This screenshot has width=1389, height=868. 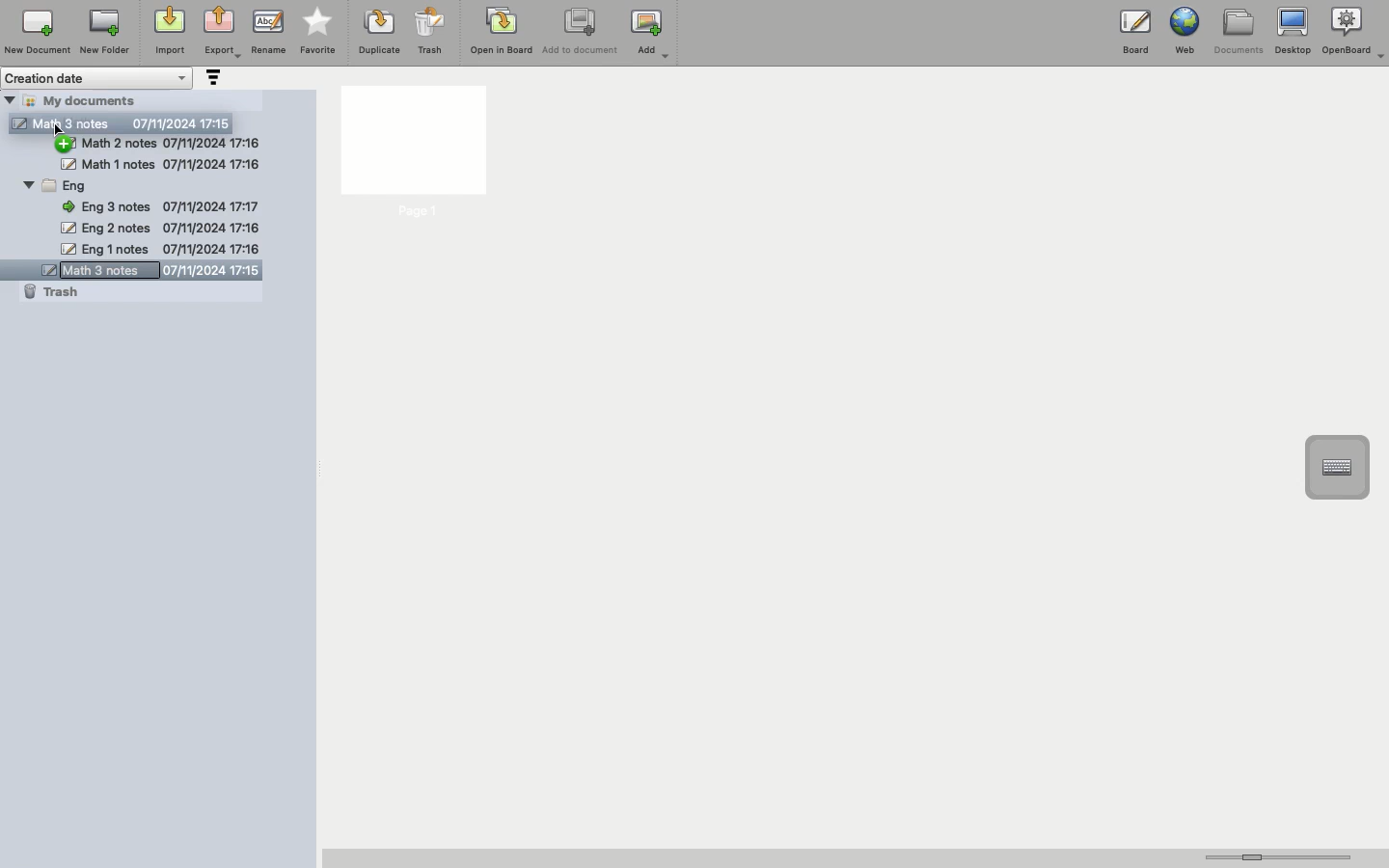 I want to click on Trash, so click(x=430, y=31).